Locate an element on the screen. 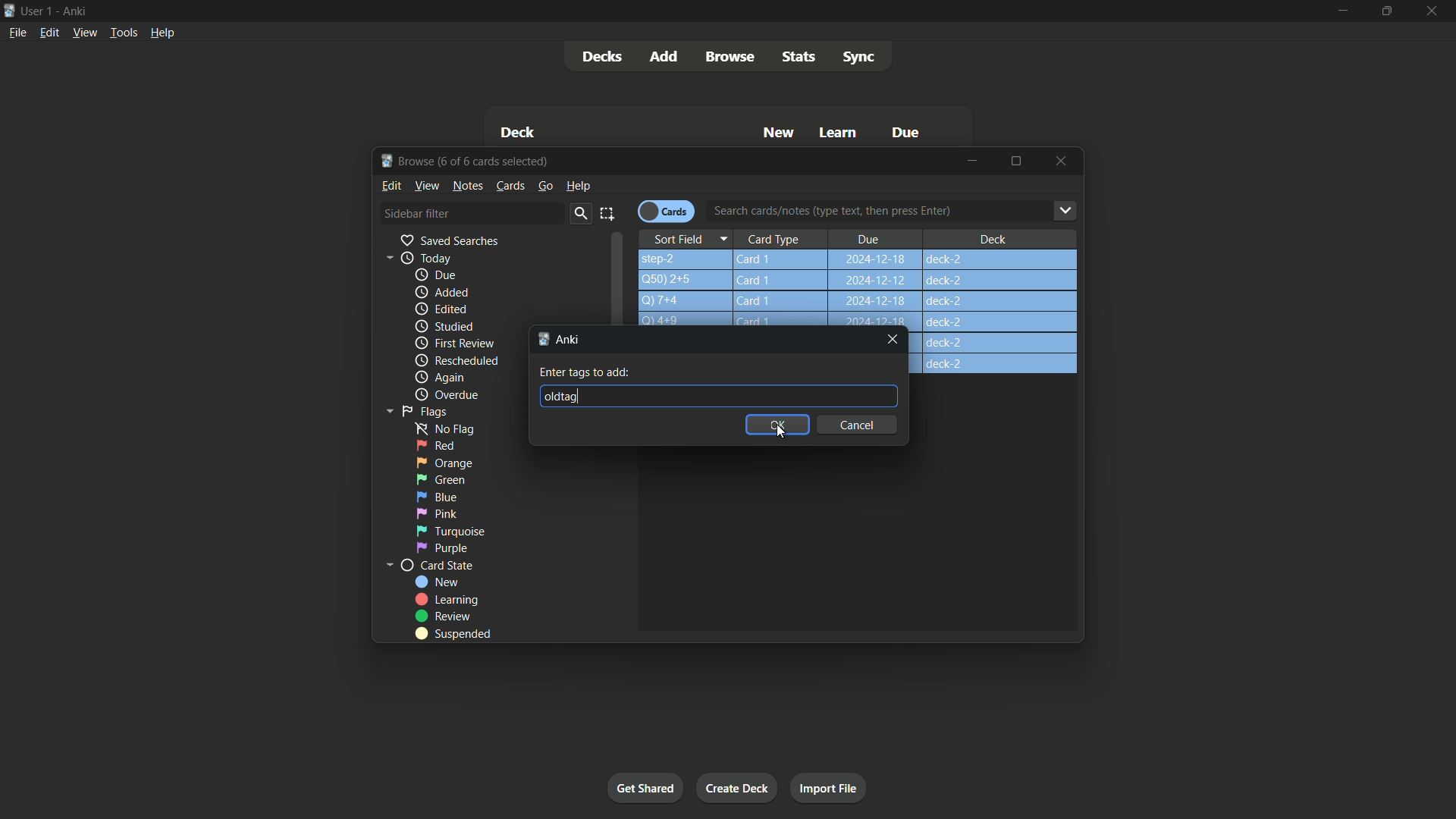 This screenshot has height=819, width=1456. card state is located at coordinates (429, 566).